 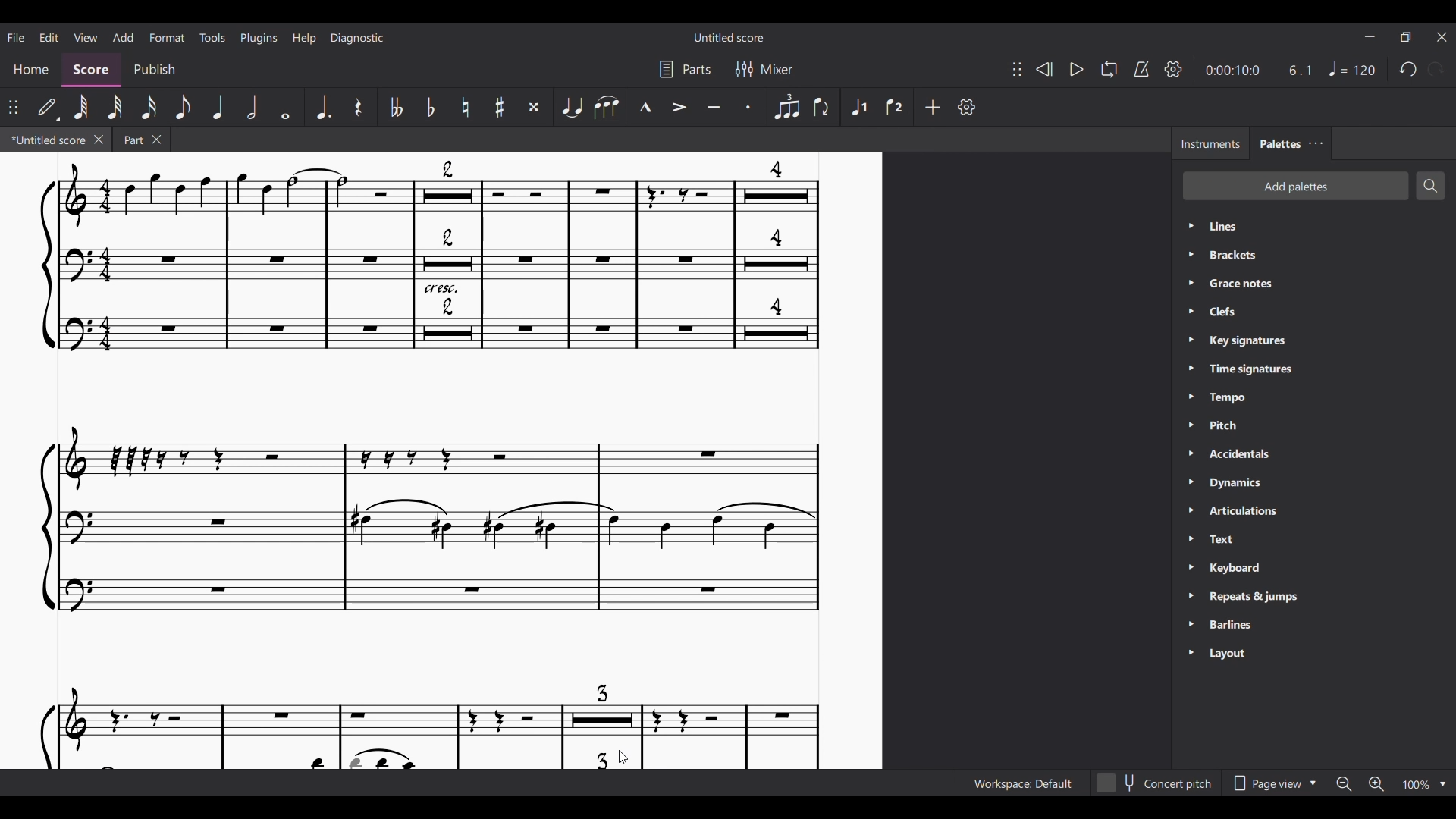 I want to click on 16th note, so click(x=149, y=108).